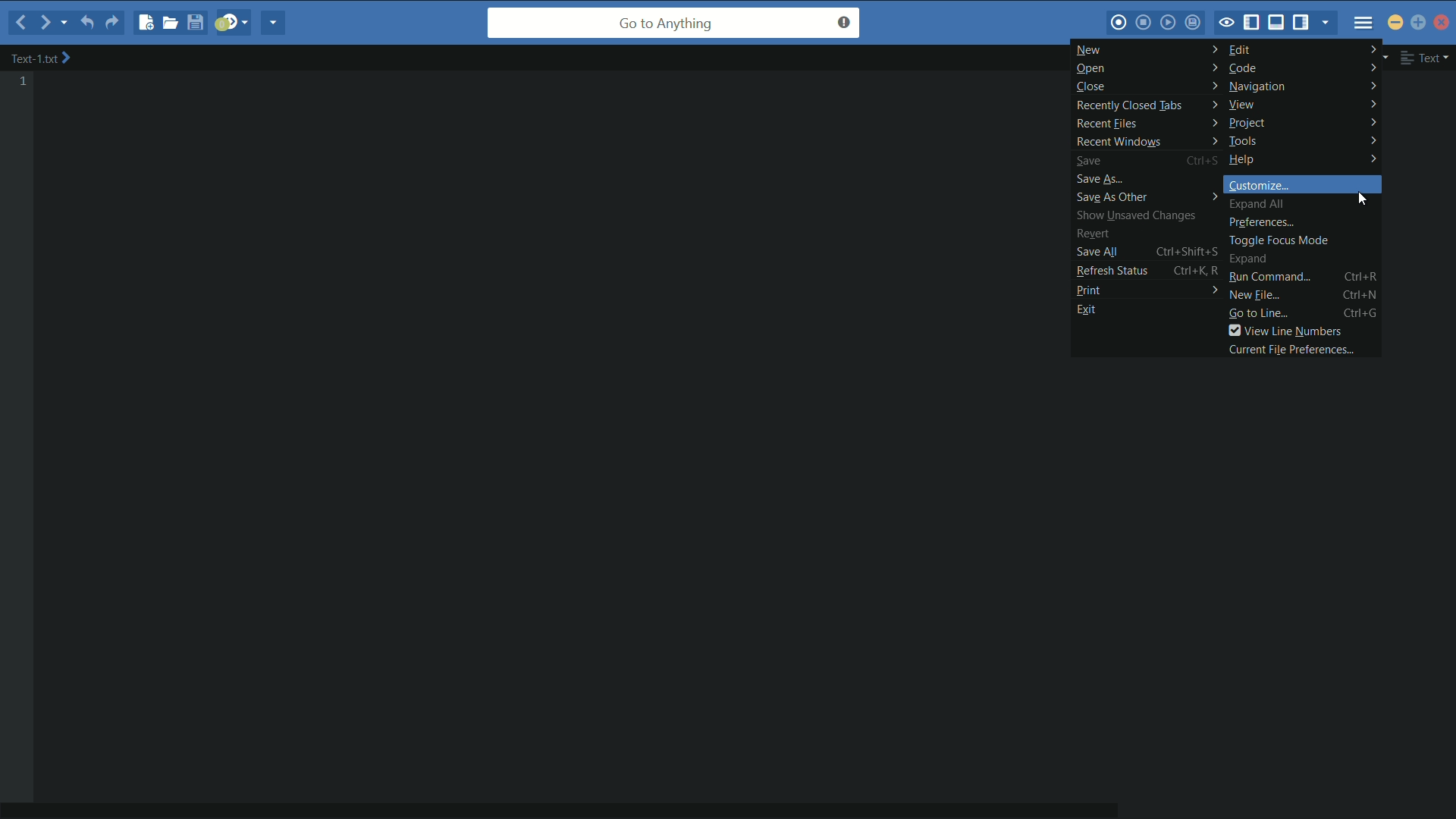 This screenshot has height=819, width=1456. Describe the element at coordinates (1277, 22) in the screenshot. I see `show/hide bottom pane` at that location.